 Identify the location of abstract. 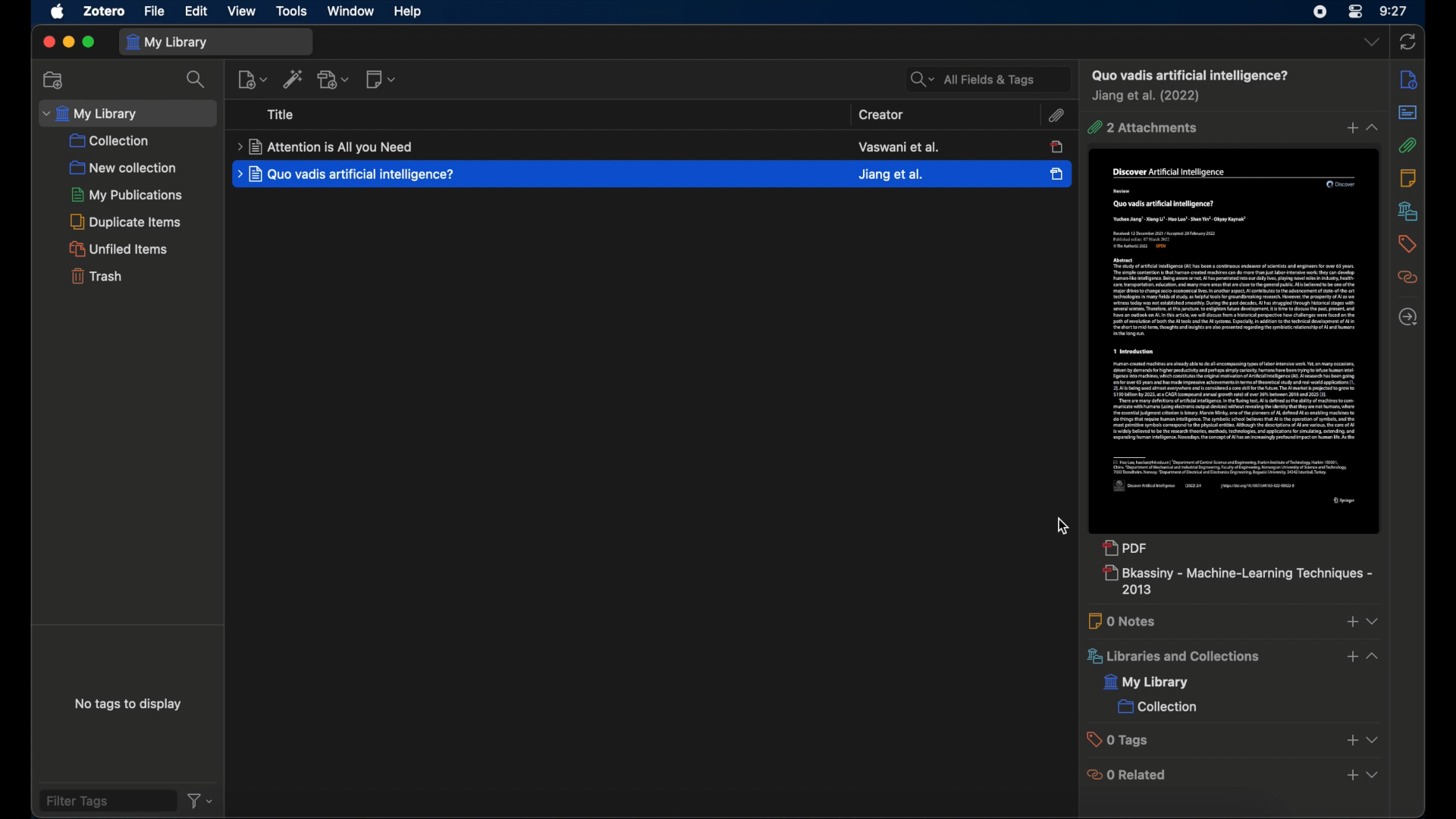
(1407, 112).